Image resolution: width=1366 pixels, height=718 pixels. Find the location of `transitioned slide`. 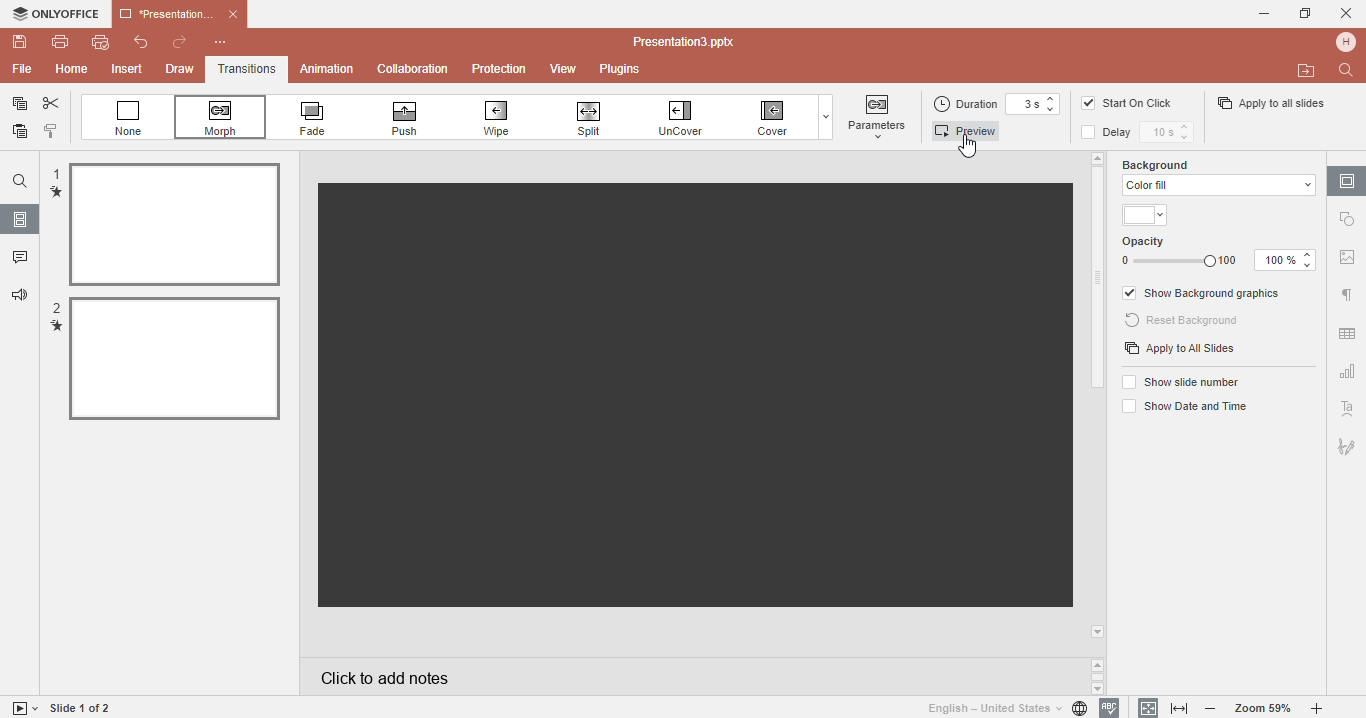

transitioned slide is located at coordinates (694, 395).